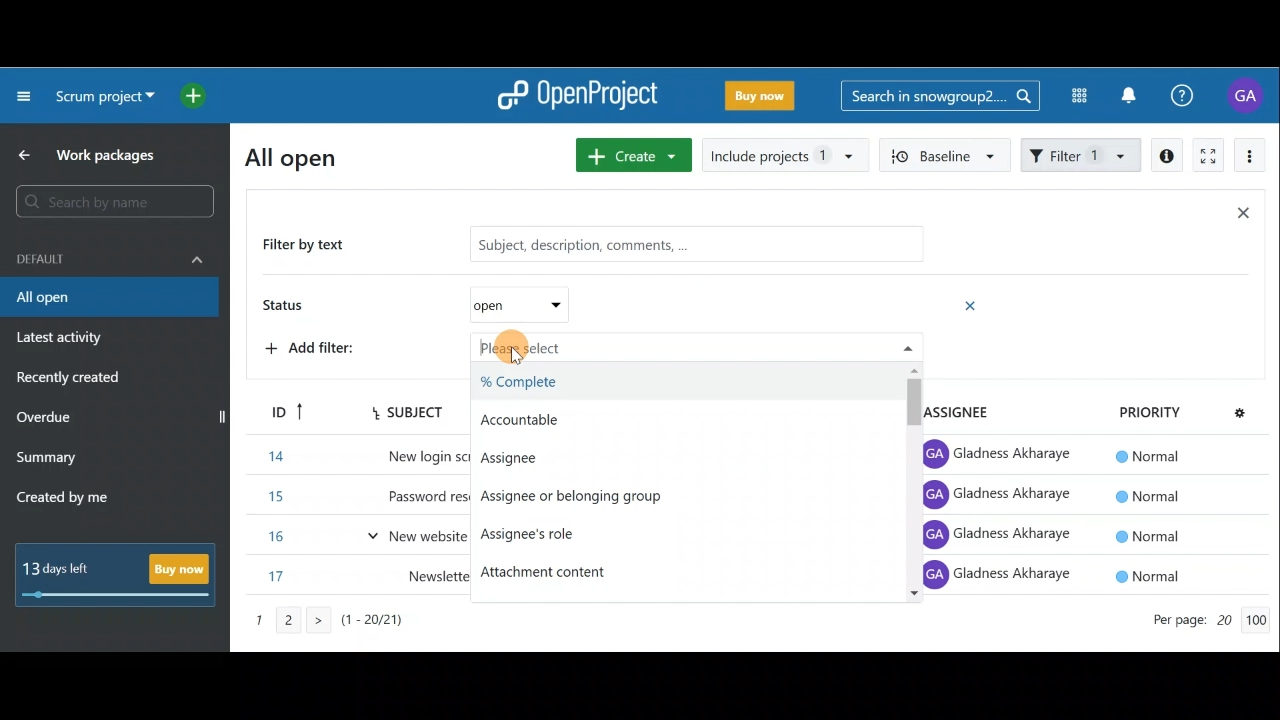 The image size is (1280, 720). What do you see at coordinates (91, 155) in the screenshot?
I see `Work packages` at bounding box center [91, 155].